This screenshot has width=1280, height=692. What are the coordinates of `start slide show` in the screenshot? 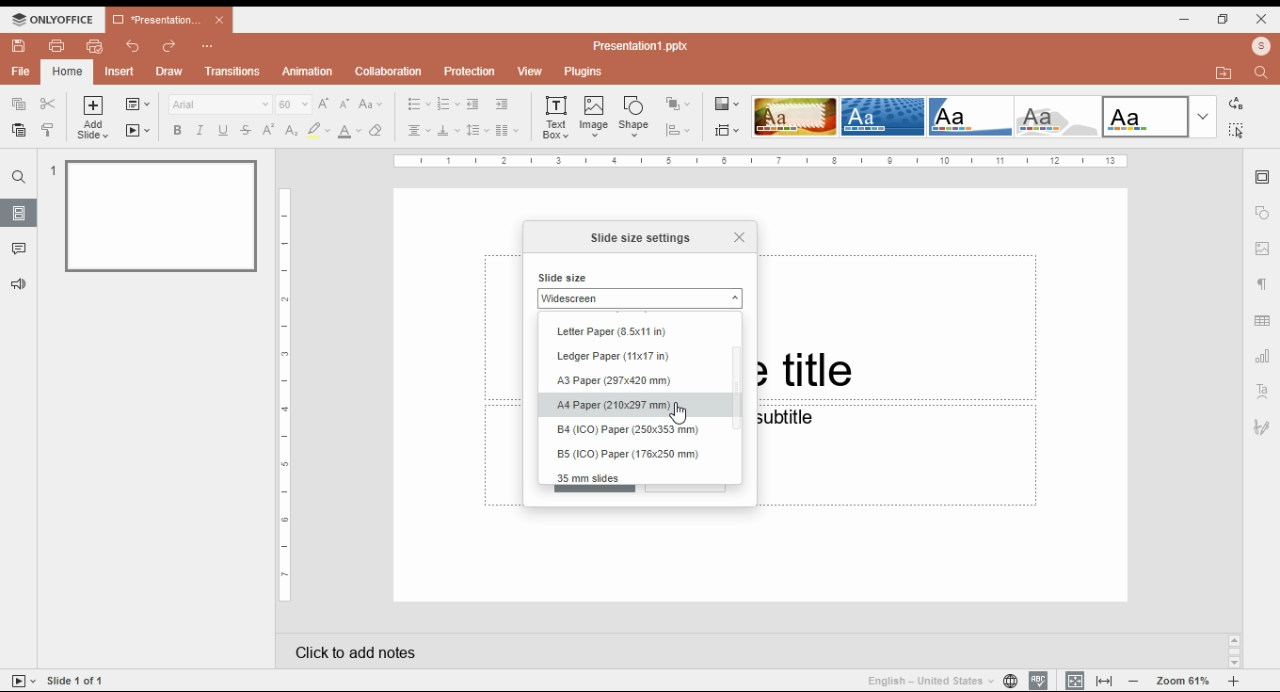 It's located at (24, 681).